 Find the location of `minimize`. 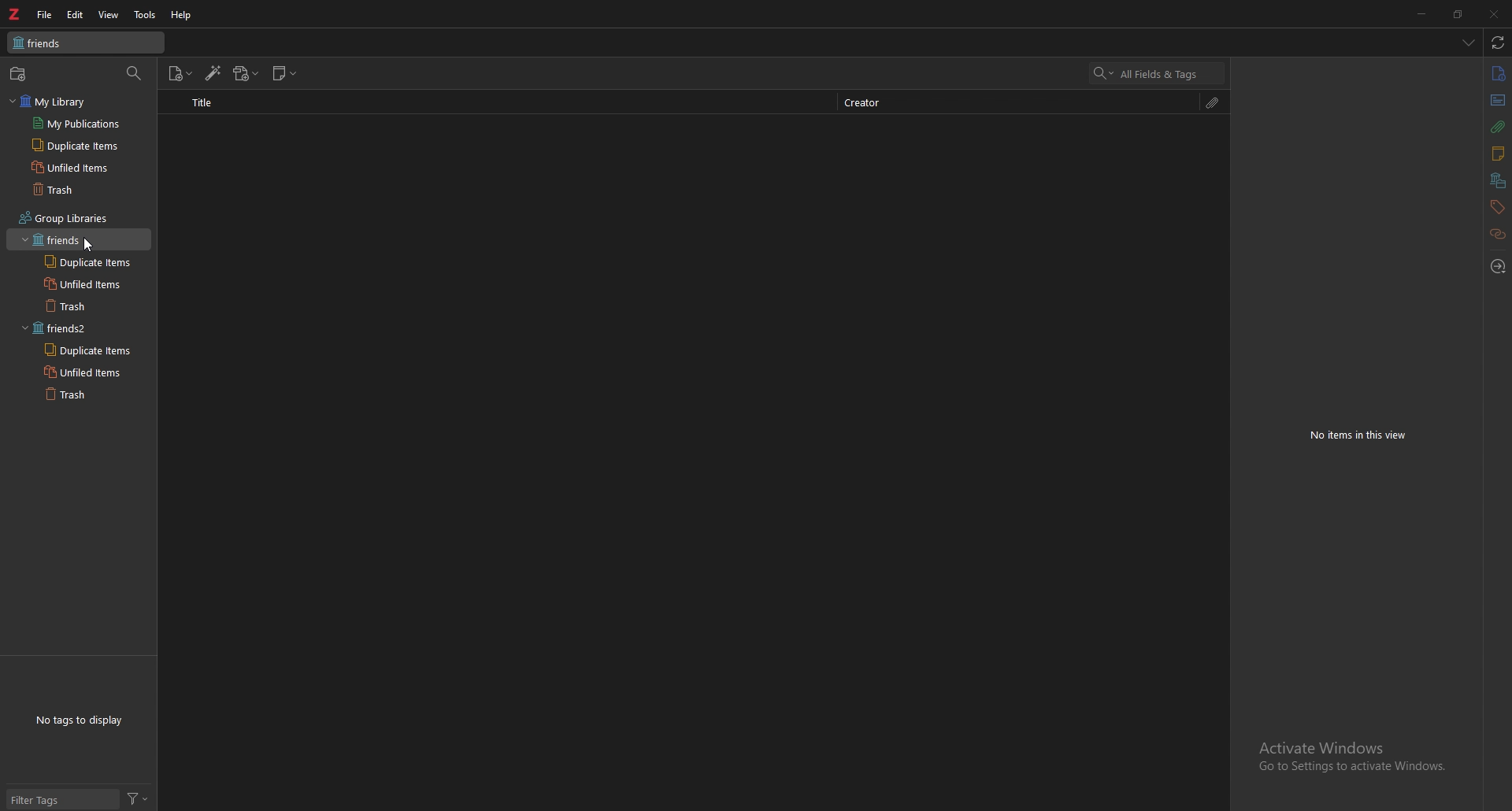

minimize is located at coordinates (1420, 15).